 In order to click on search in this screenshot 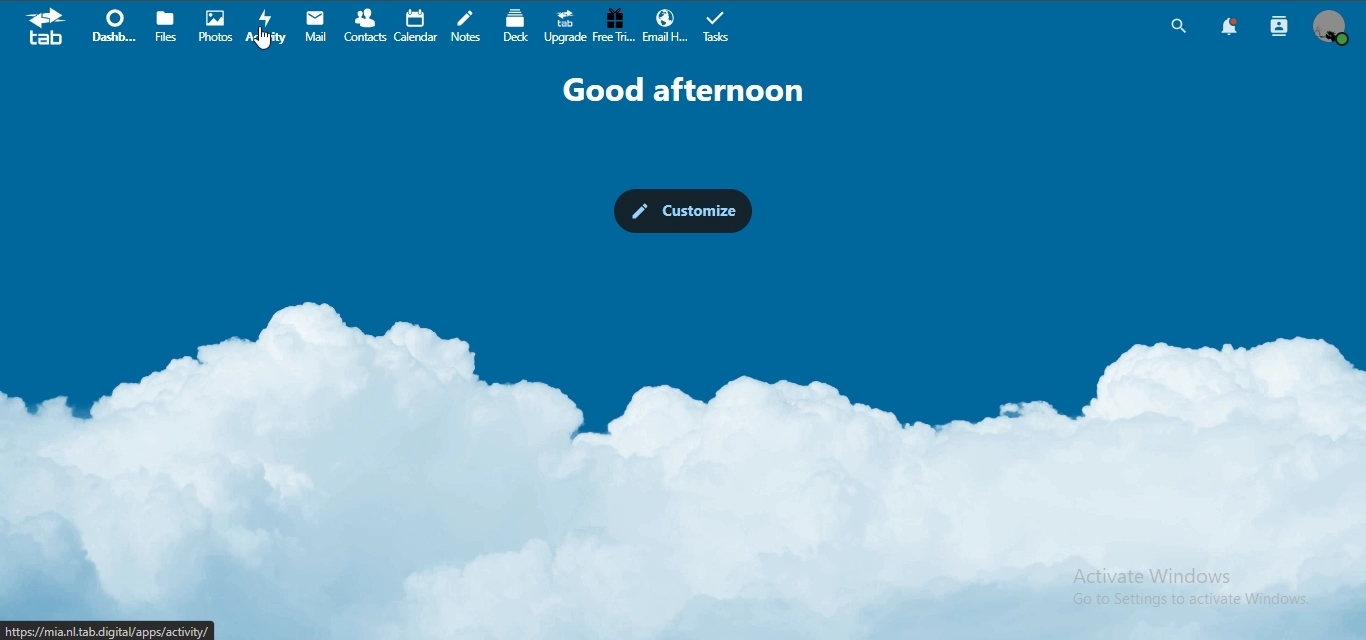, I will do `click(1176, 26)`.